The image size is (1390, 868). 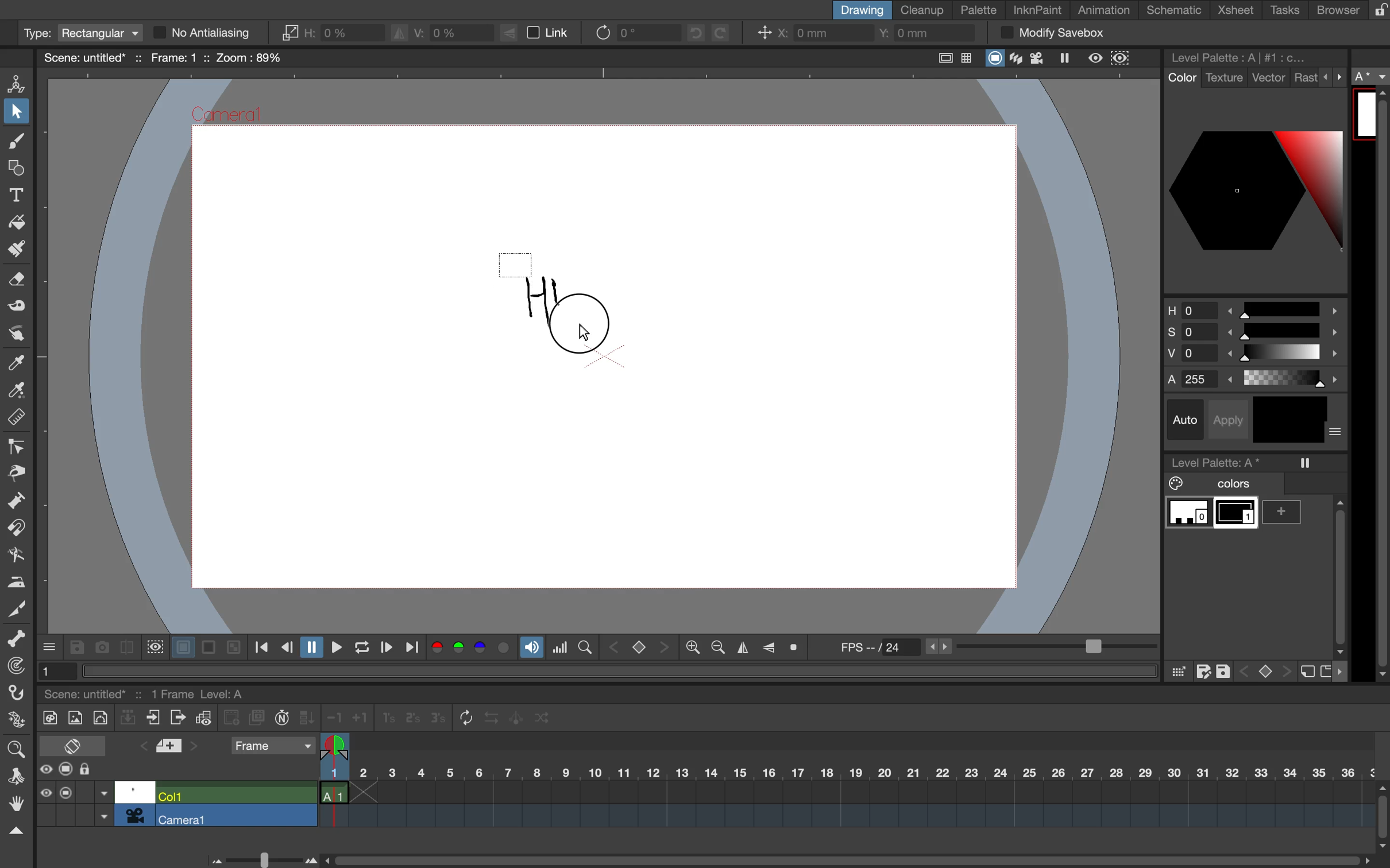 What do you see at coordinates (333, 647) in the screenshot?
I see `play` at bounding box center [333, 647].